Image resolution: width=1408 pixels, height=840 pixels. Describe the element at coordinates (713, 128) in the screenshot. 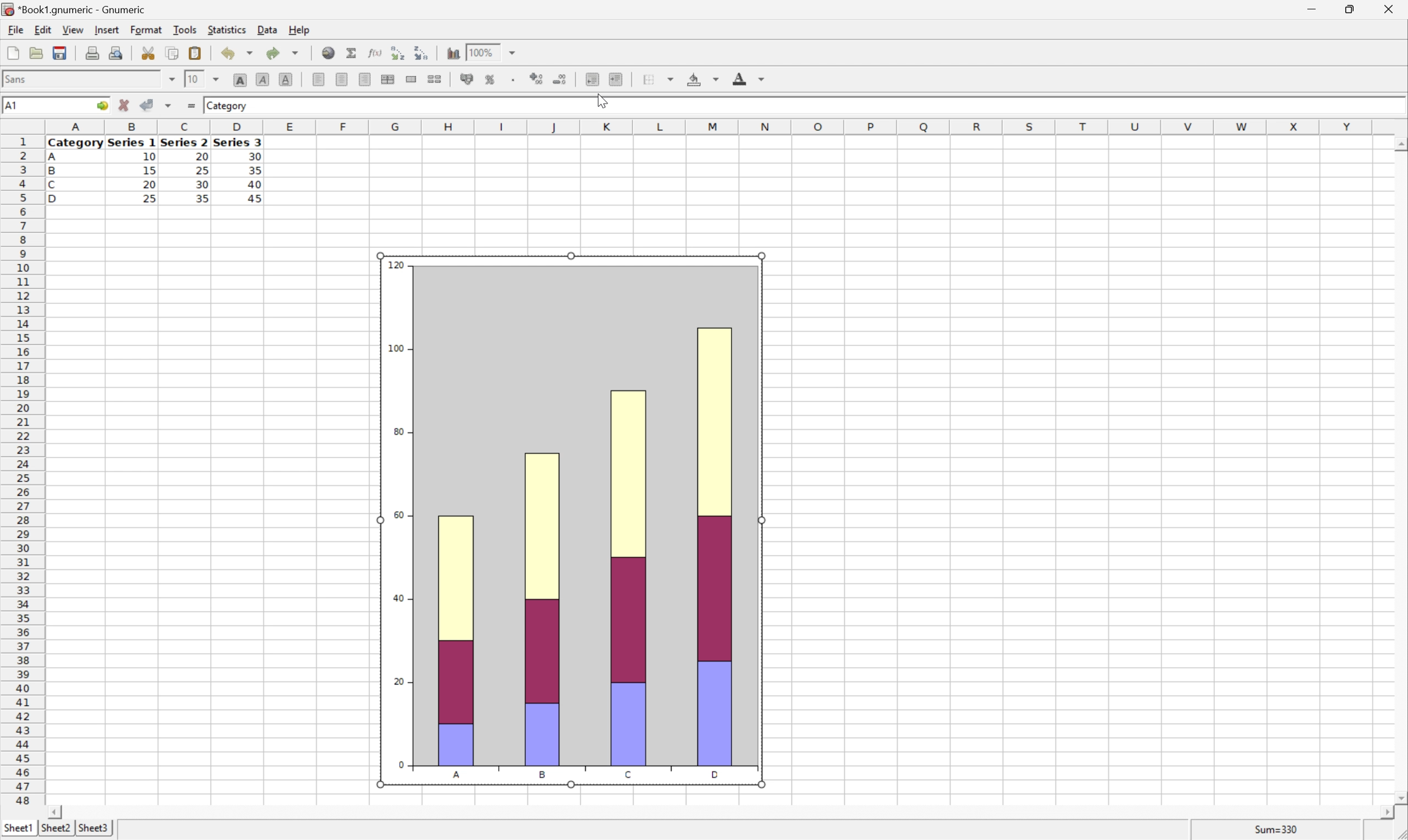

I see `Column names` at that location.